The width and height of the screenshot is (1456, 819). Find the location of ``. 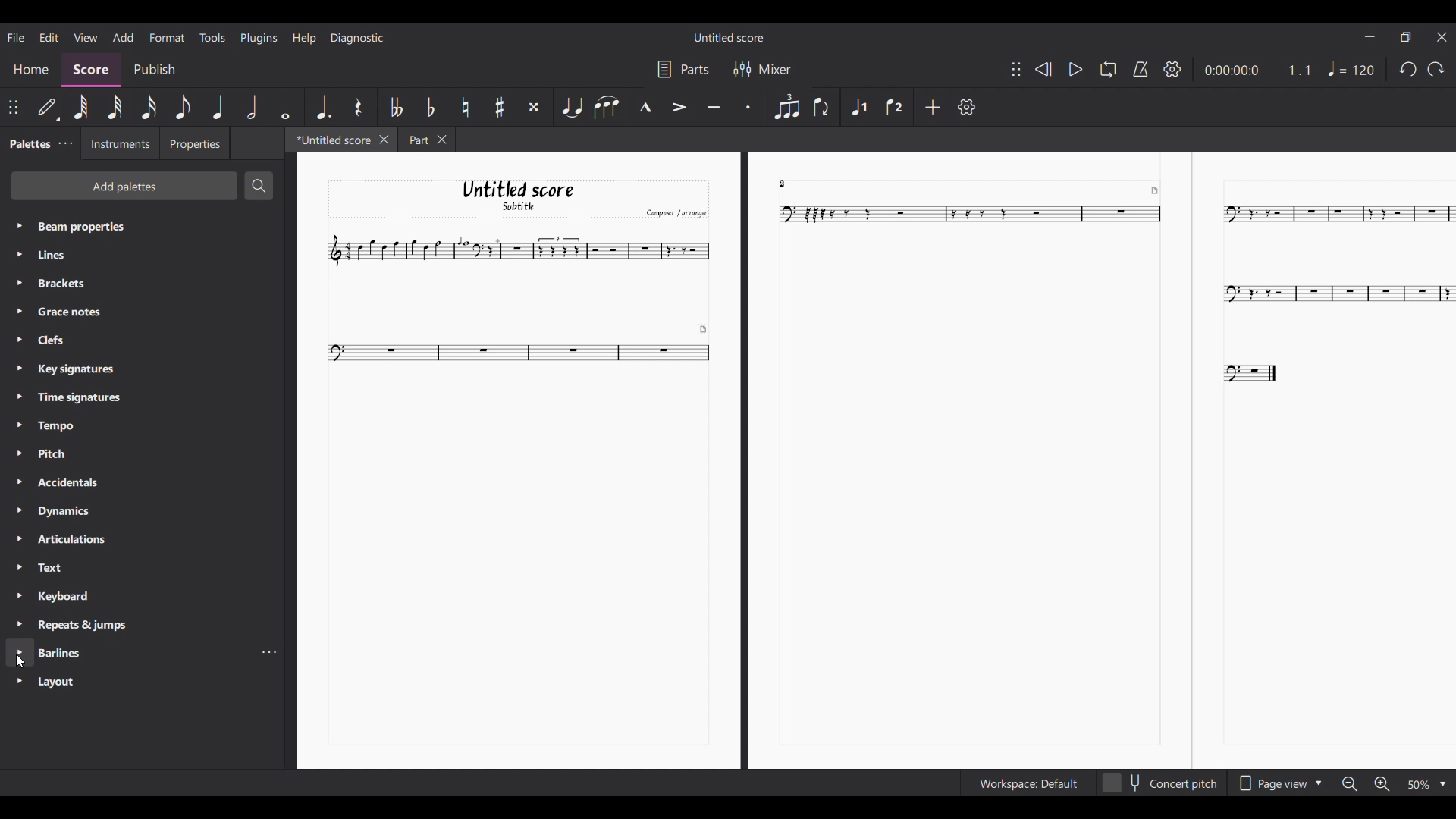

 is located at coordinates (46, 679).